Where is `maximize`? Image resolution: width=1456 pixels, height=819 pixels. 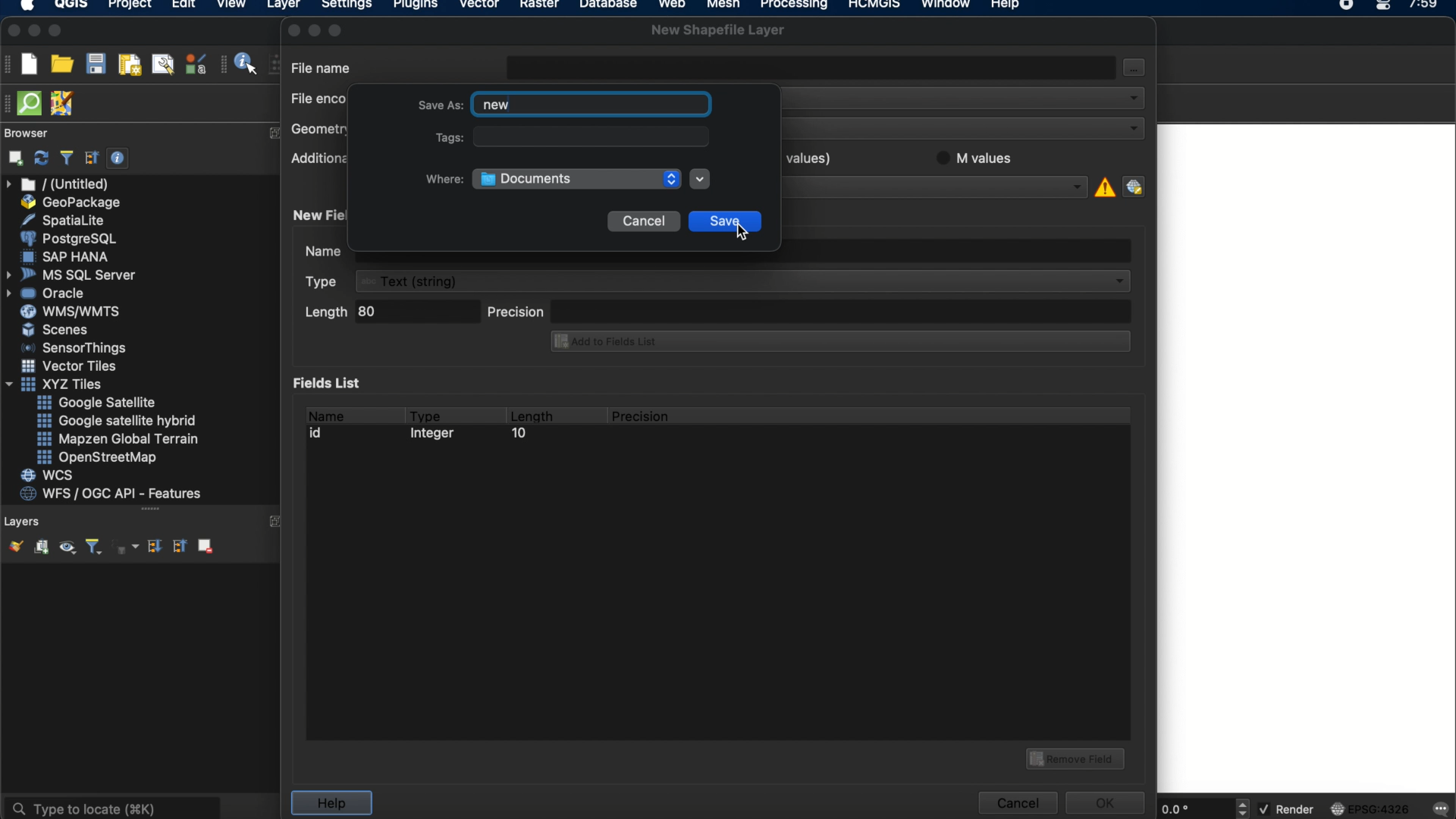
maximize is located at coordinates (338, 30).